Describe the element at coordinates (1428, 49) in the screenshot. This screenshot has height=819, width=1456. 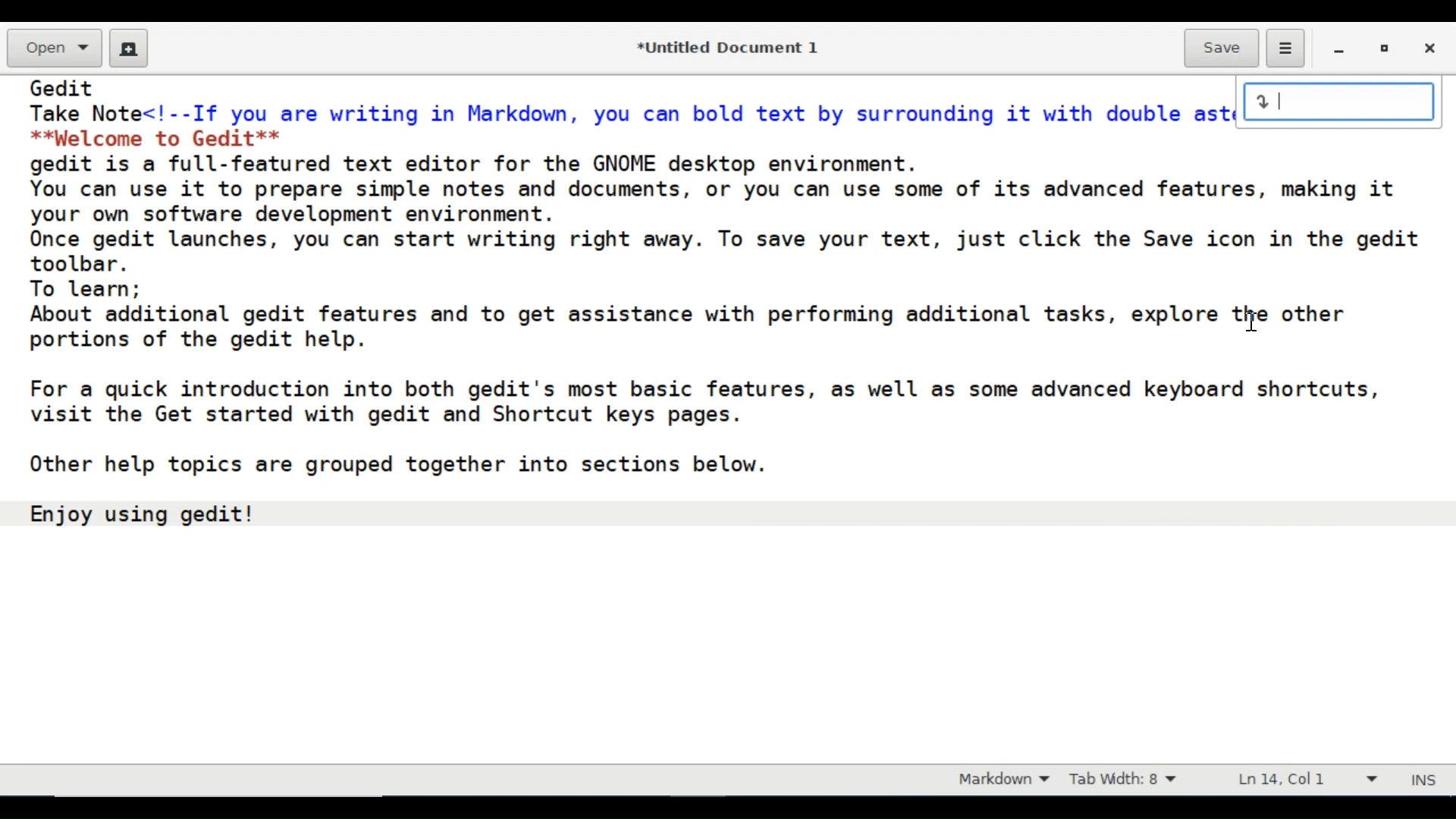
I see `Close` at that location.